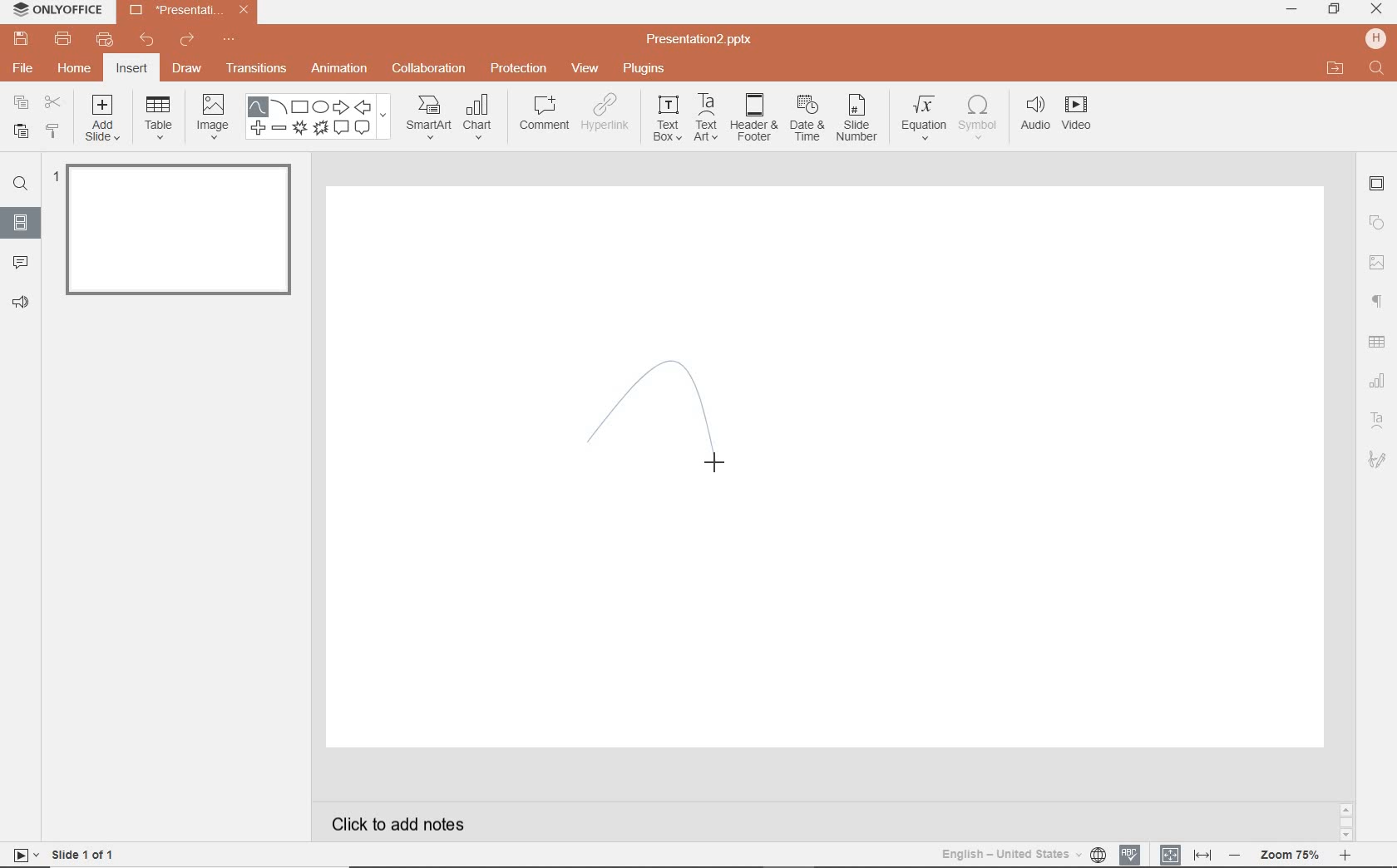 This screenshot has width=1397, height=868. Describe the element at coordinates (24, 40) in the screenshot. I see `SAVE` at that location.